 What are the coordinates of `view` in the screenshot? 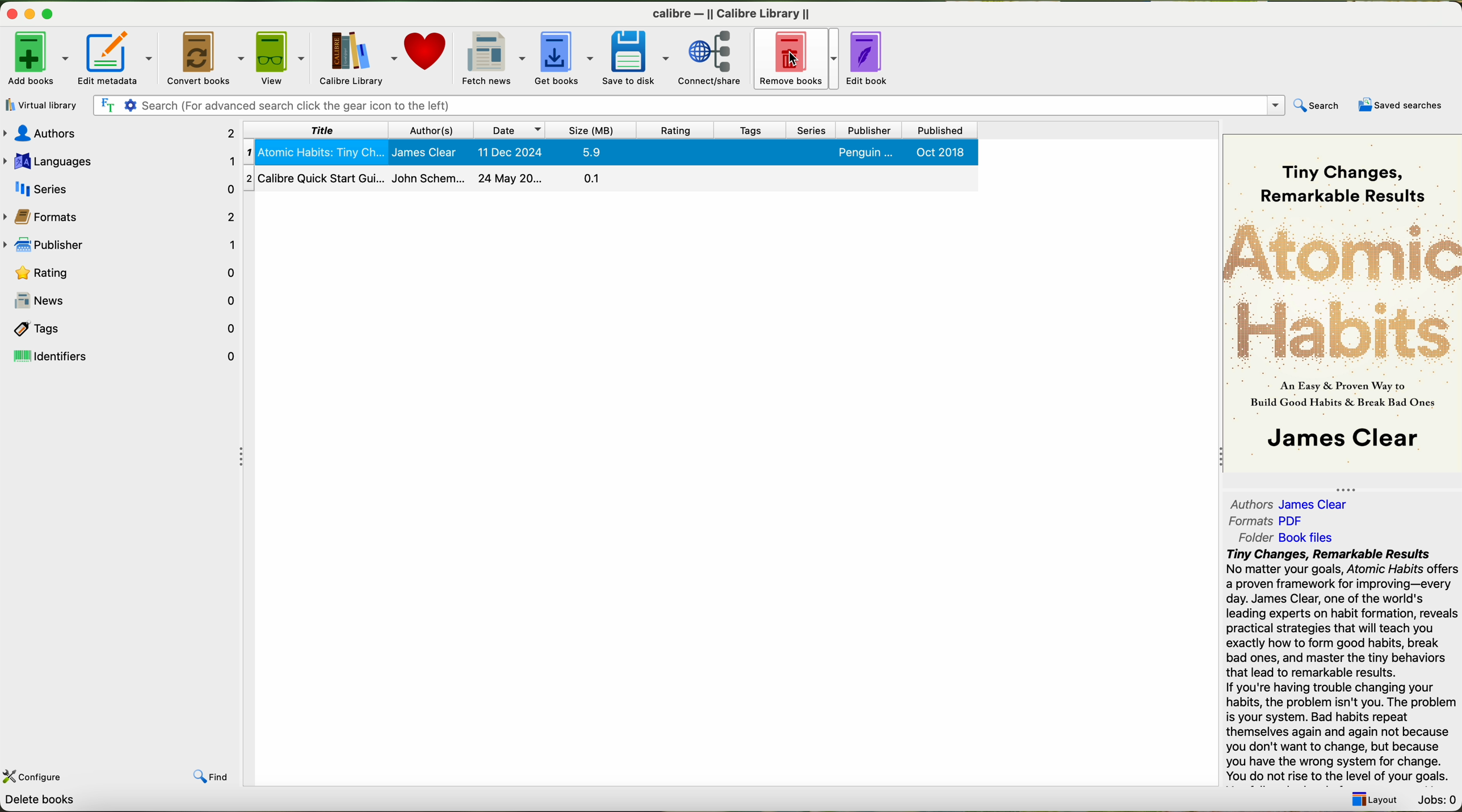 It's located at (279, 58).